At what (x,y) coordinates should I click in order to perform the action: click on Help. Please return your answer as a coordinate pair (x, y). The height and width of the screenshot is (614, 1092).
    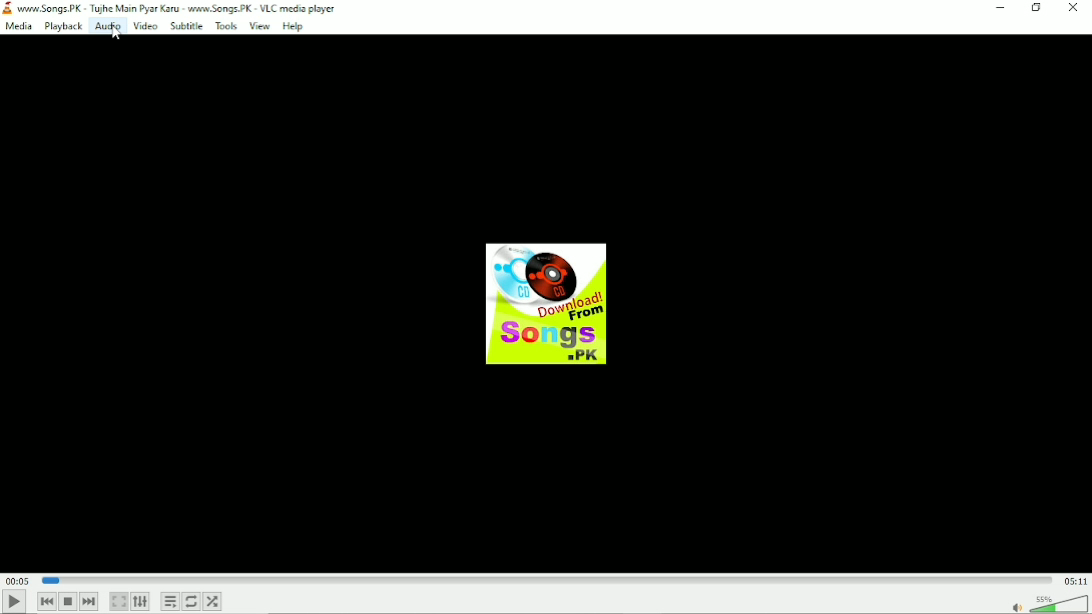
    Looking at the image, I should click on (294, 26).